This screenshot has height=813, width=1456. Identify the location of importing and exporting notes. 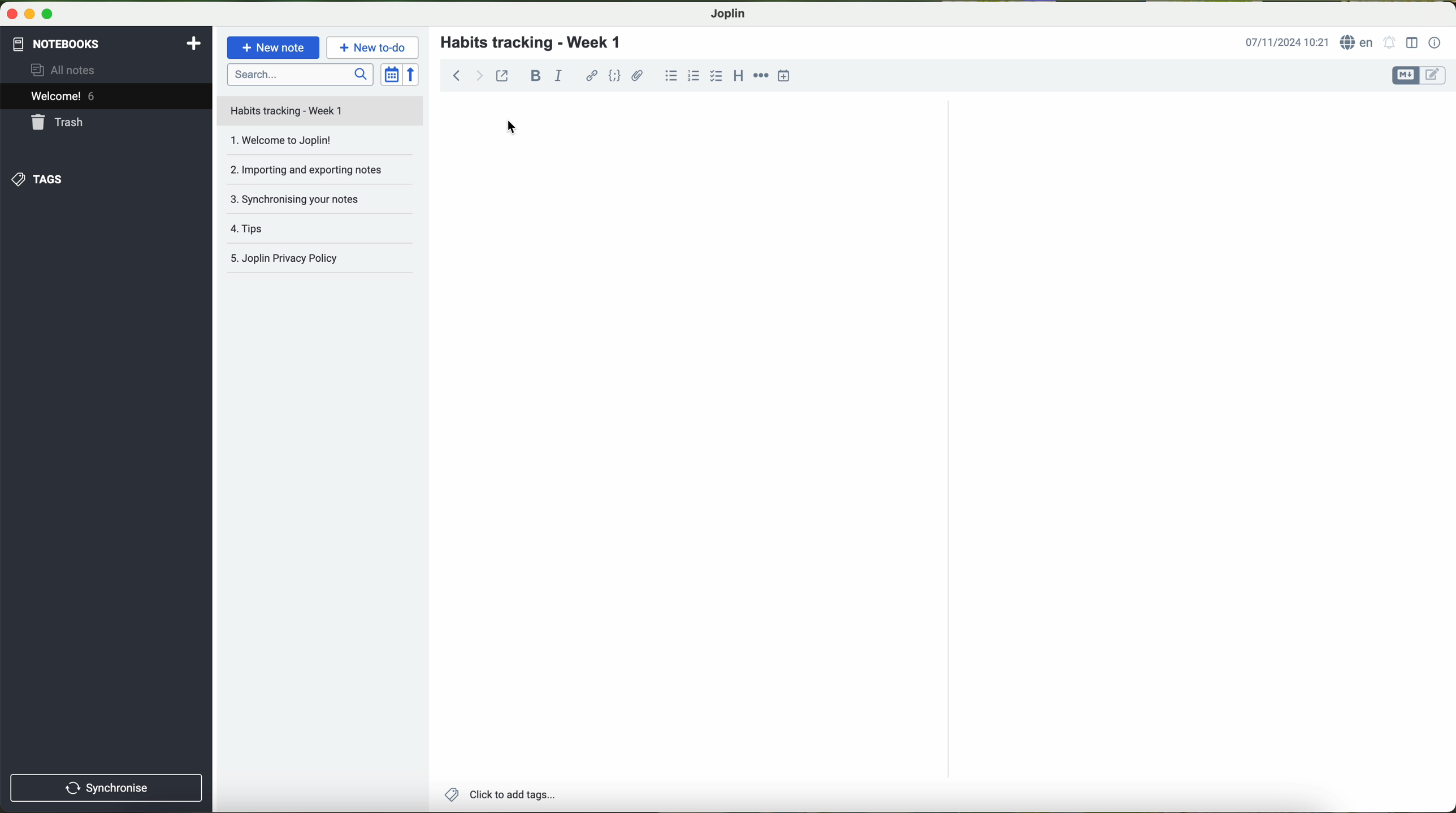
(319, 174).